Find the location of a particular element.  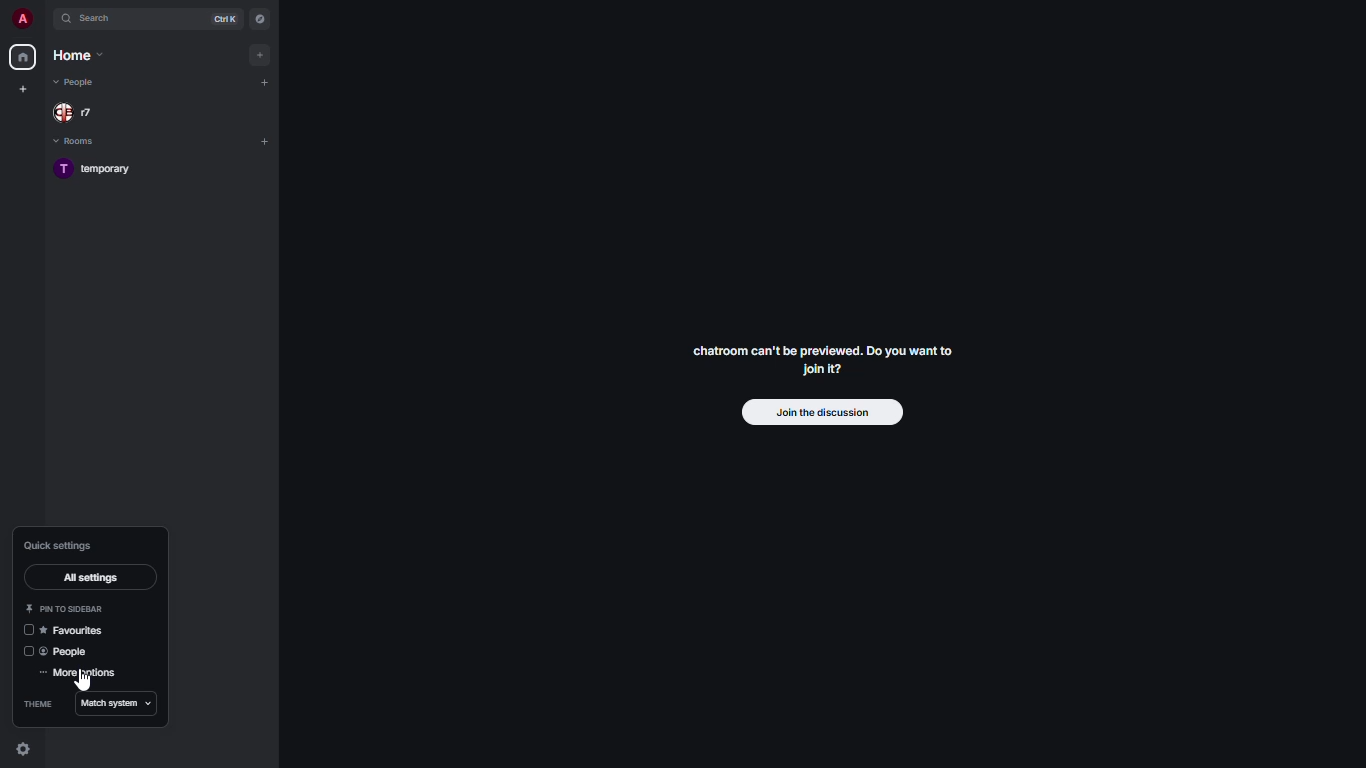

chatroom can't be previewed is located at coordinates (824, 357).